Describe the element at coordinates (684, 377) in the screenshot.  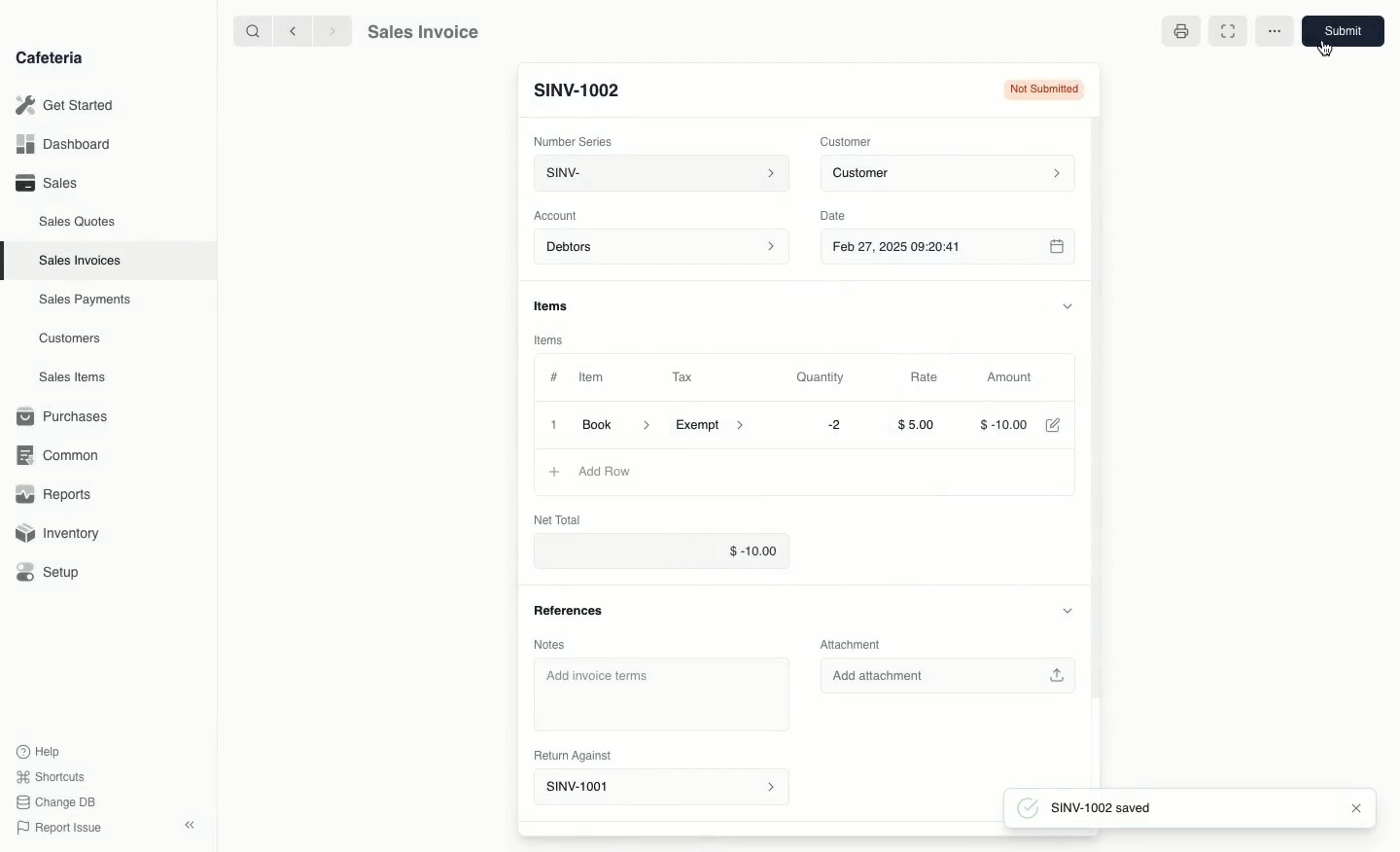
I see `Tax` at that location.